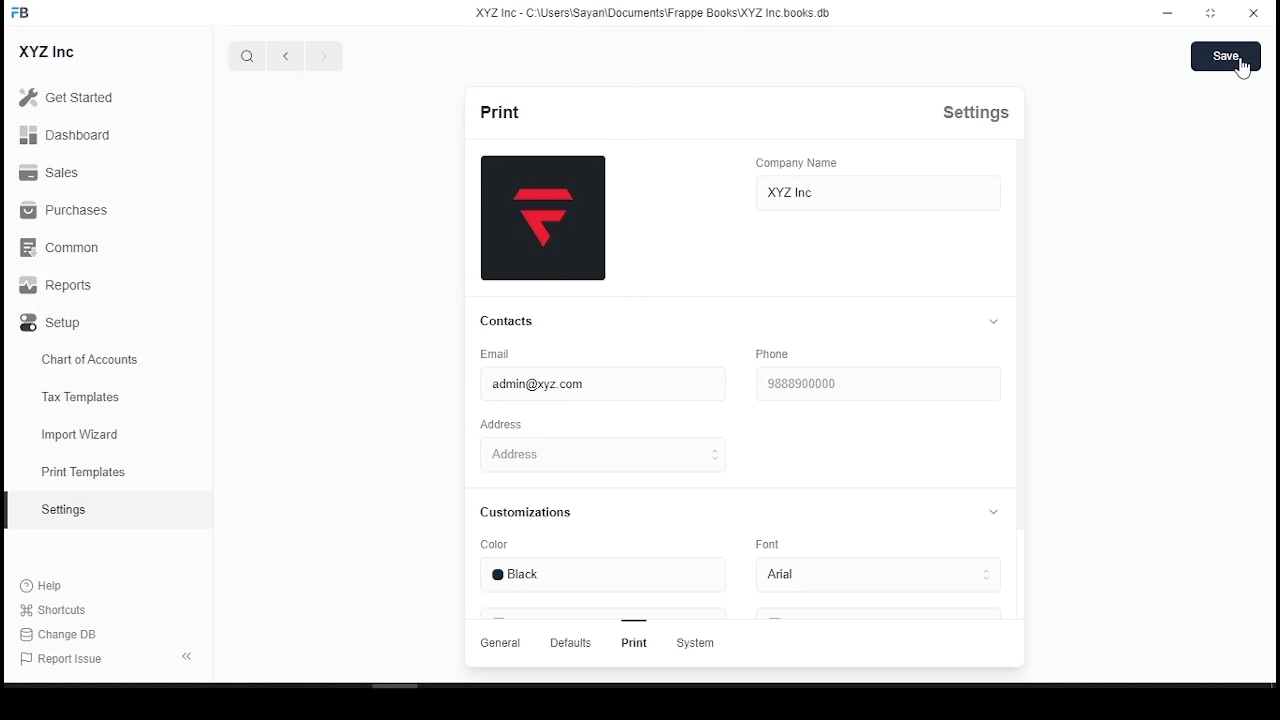 The height and width of the screenshot is (720, 1280). Describe the element at coordinates (498, 354) in the screenshot. I see `Email` at that location.